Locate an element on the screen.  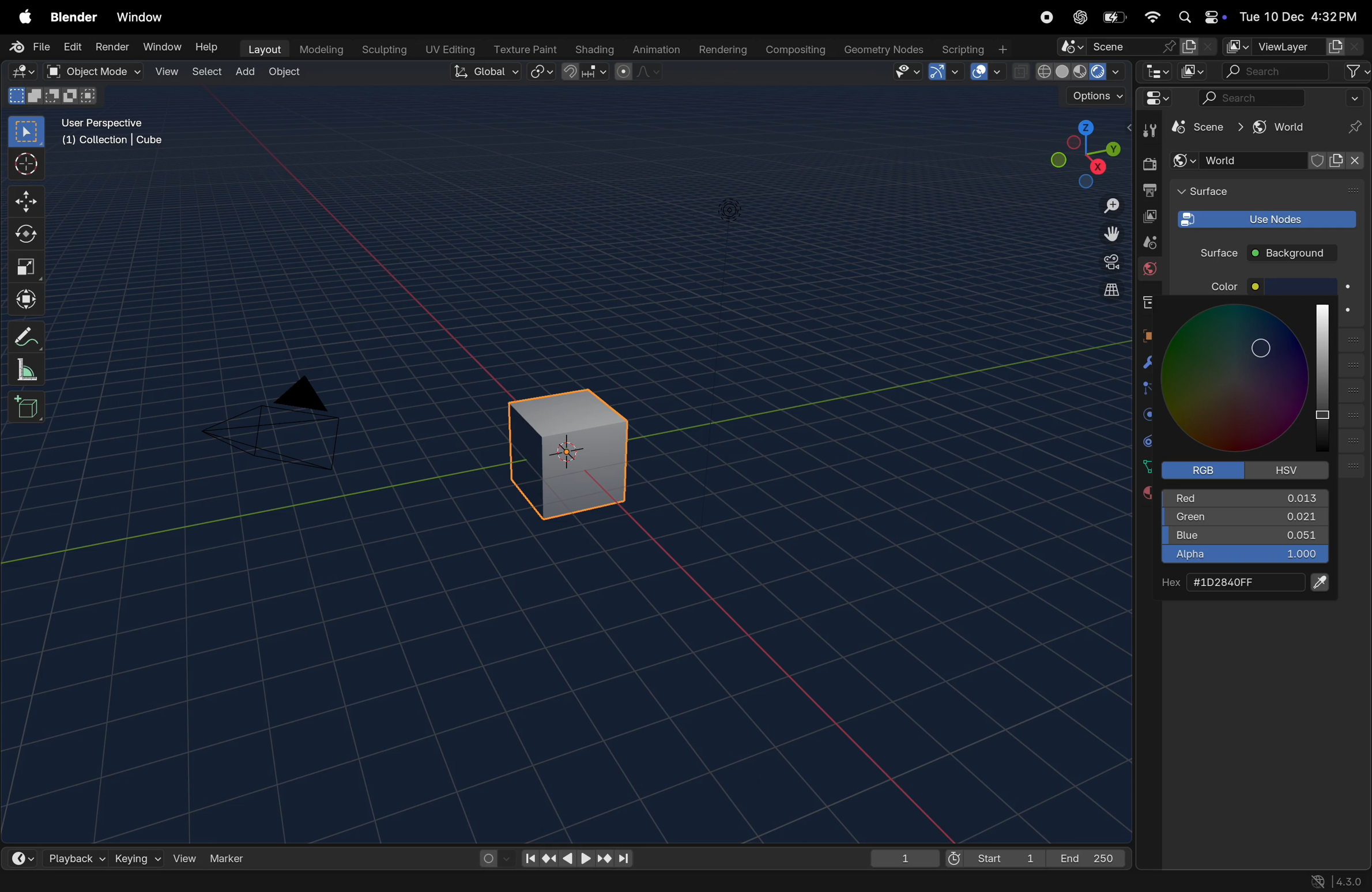
Animation is located at coordinates (654, 50).